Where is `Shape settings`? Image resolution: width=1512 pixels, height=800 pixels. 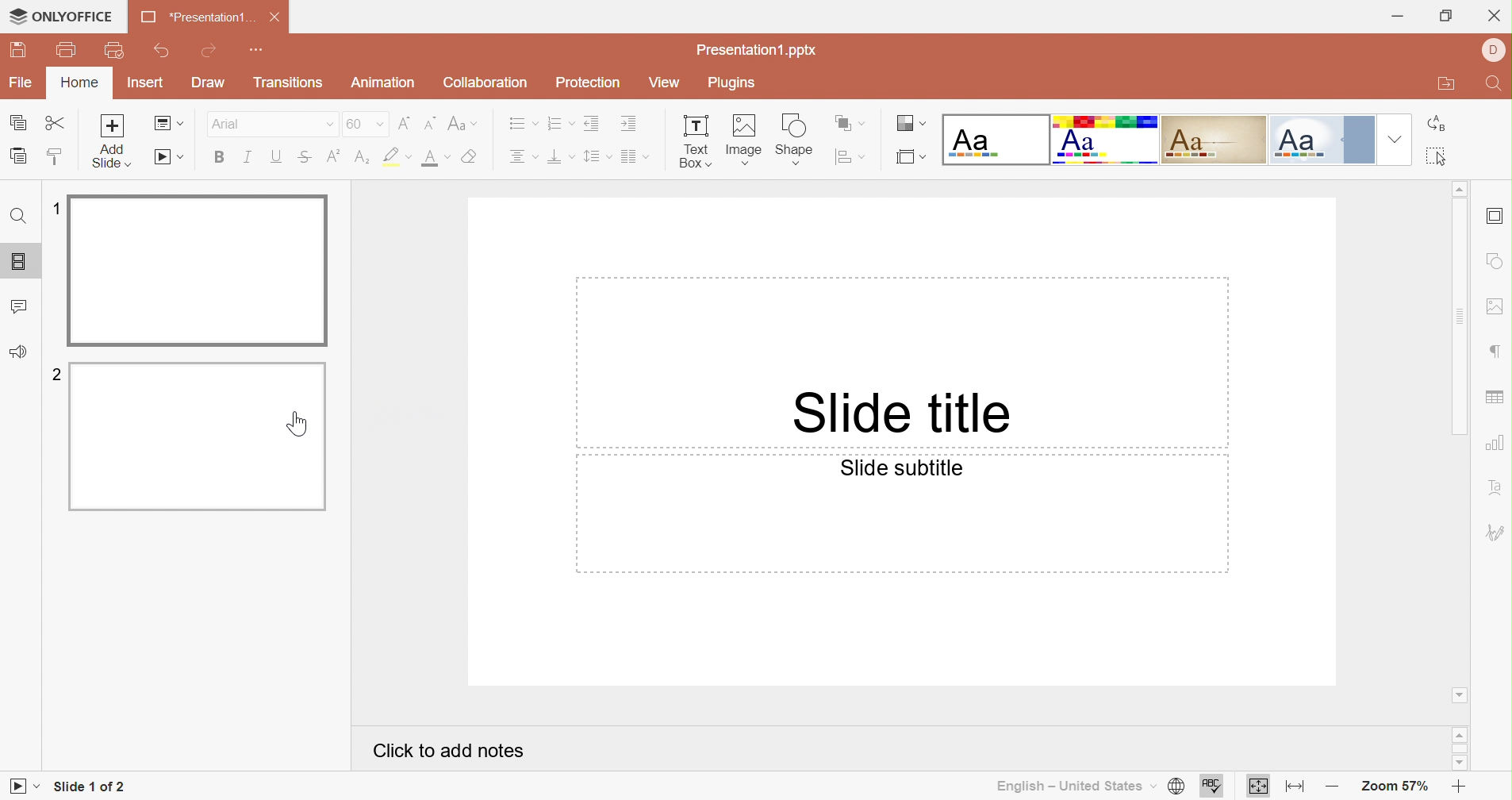
Shape settings is located at coordinates (1495, 260).